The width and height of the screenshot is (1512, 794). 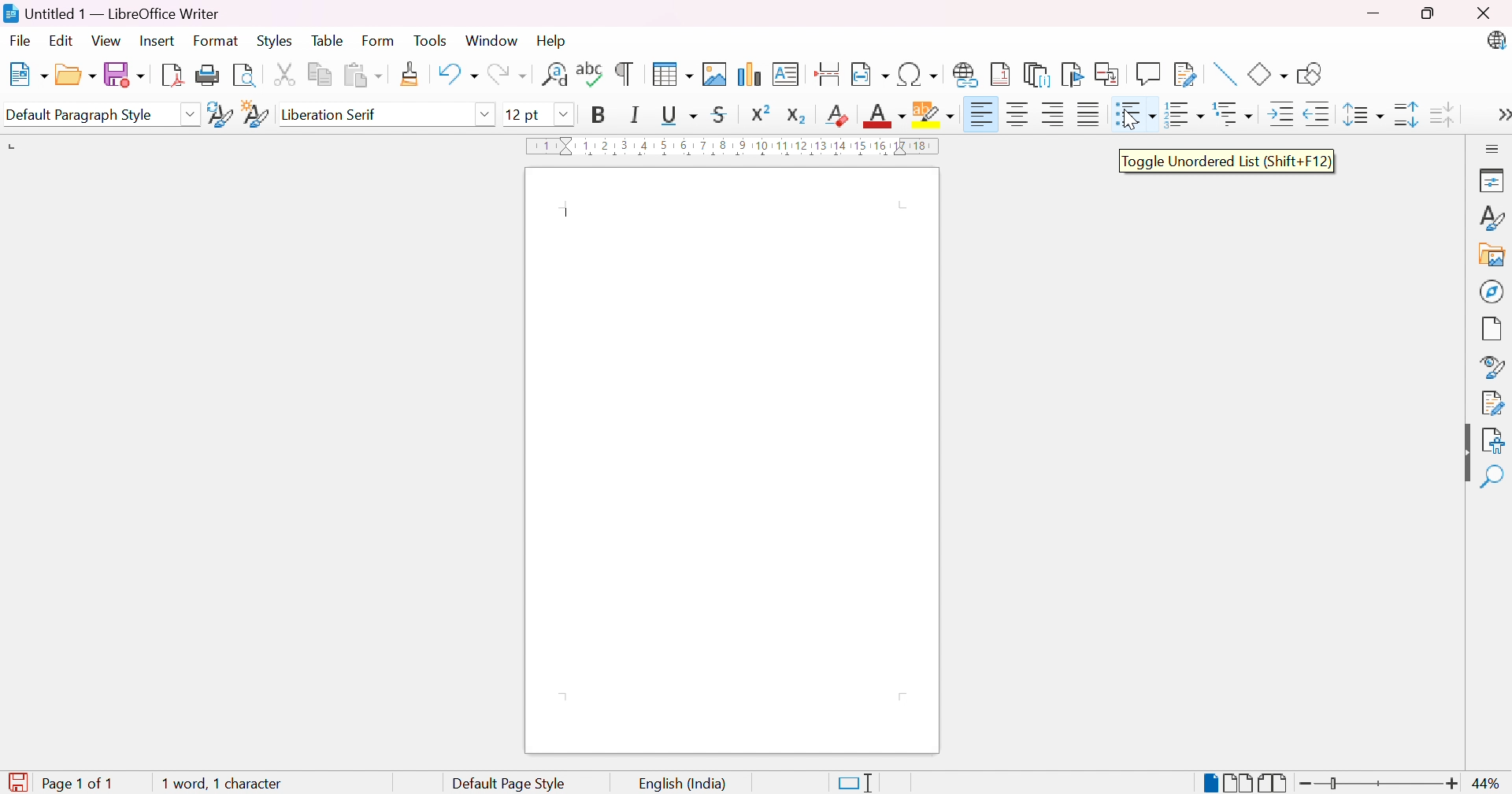 What do you see at coordinates (1493, 218) in the screenshot?
I see `Style` at bounding box center [1493, 218].